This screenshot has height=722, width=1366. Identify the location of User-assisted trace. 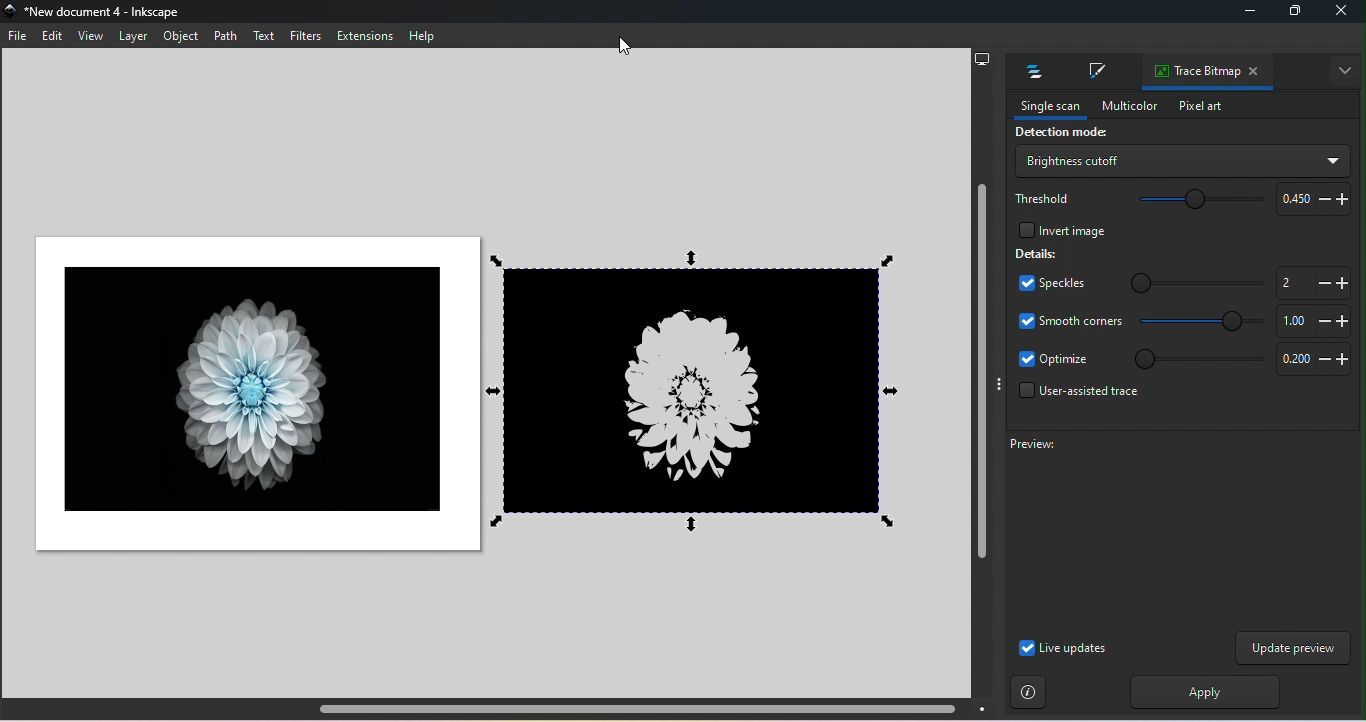
(1074, 396).